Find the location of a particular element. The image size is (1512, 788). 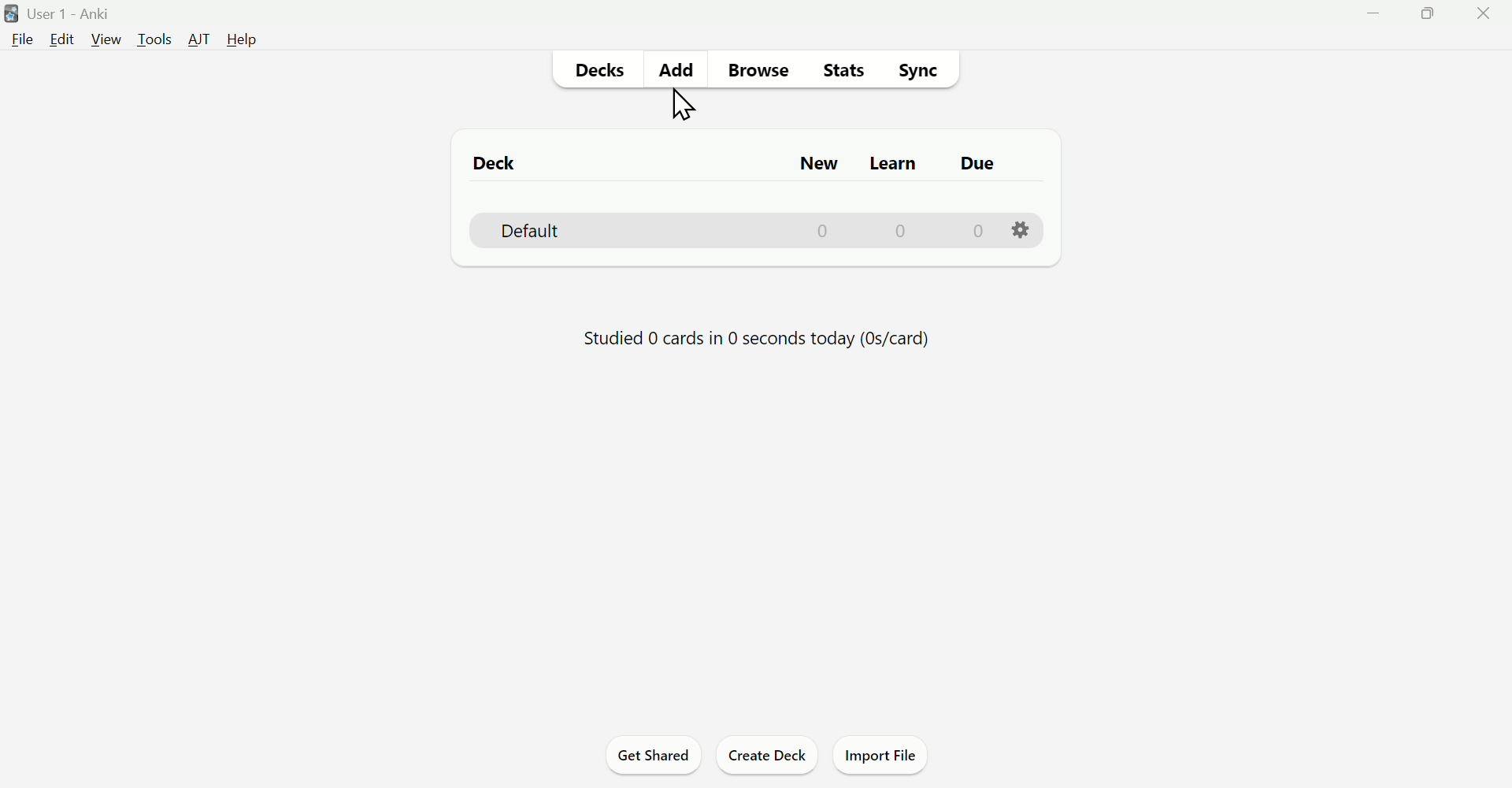

cursor is located at coordinates (682, 108).